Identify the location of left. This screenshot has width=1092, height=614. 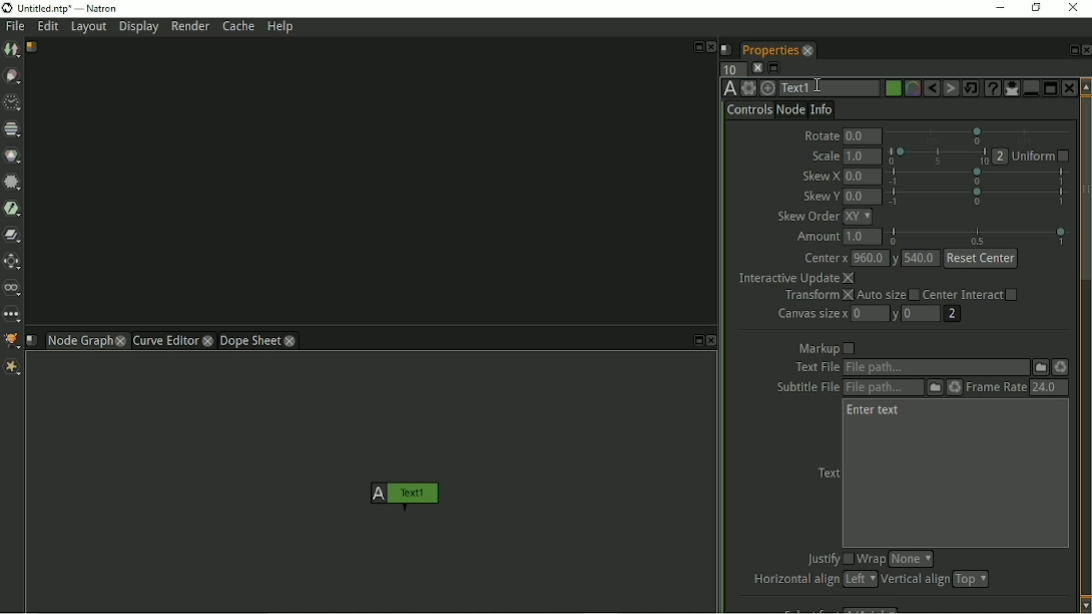
(858, 579).